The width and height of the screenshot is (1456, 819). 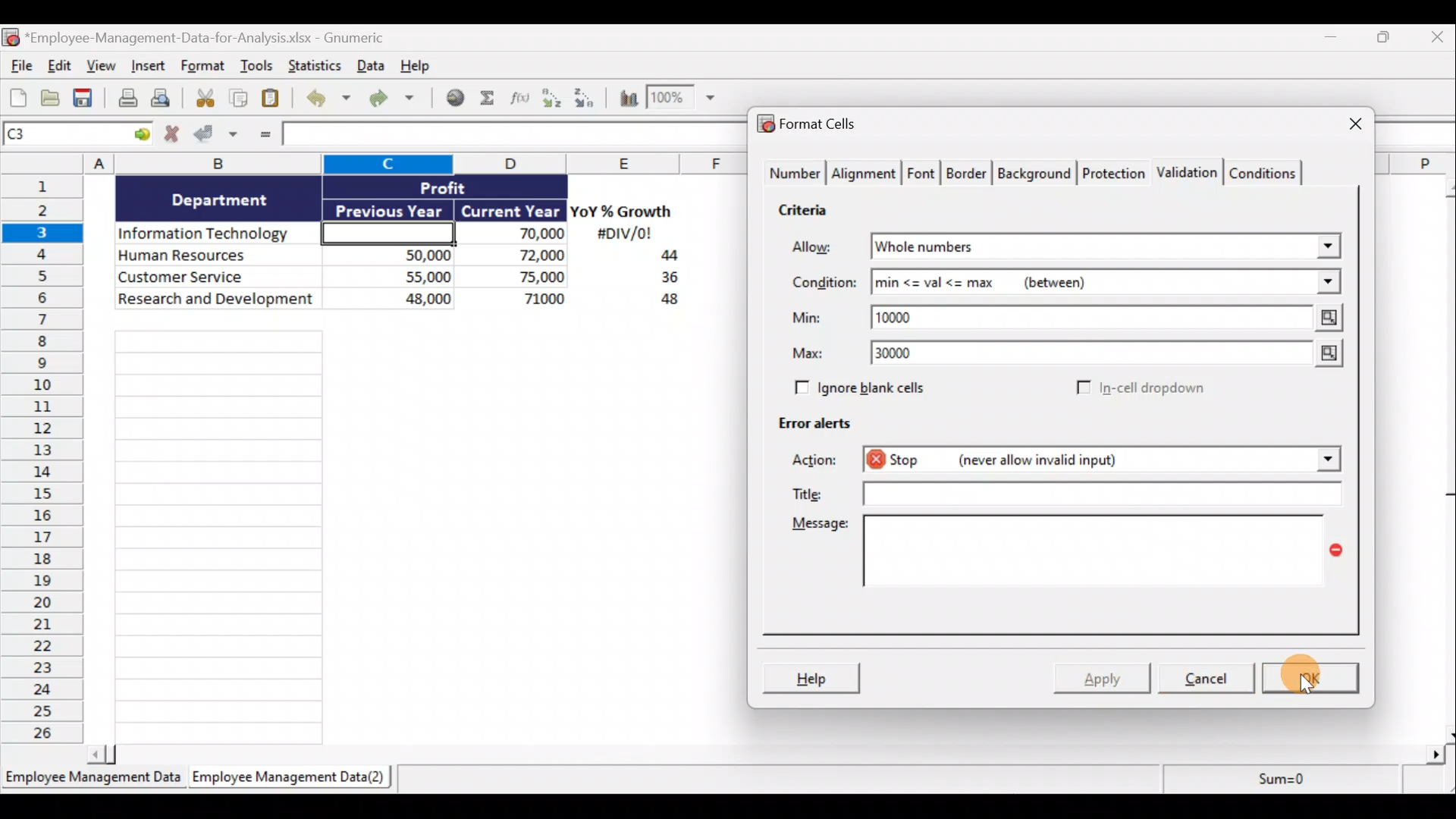 What do you see at coordinates (92, 780) in the screenshot?
I see `Employee Management Data` at bounding box center [92, 780].